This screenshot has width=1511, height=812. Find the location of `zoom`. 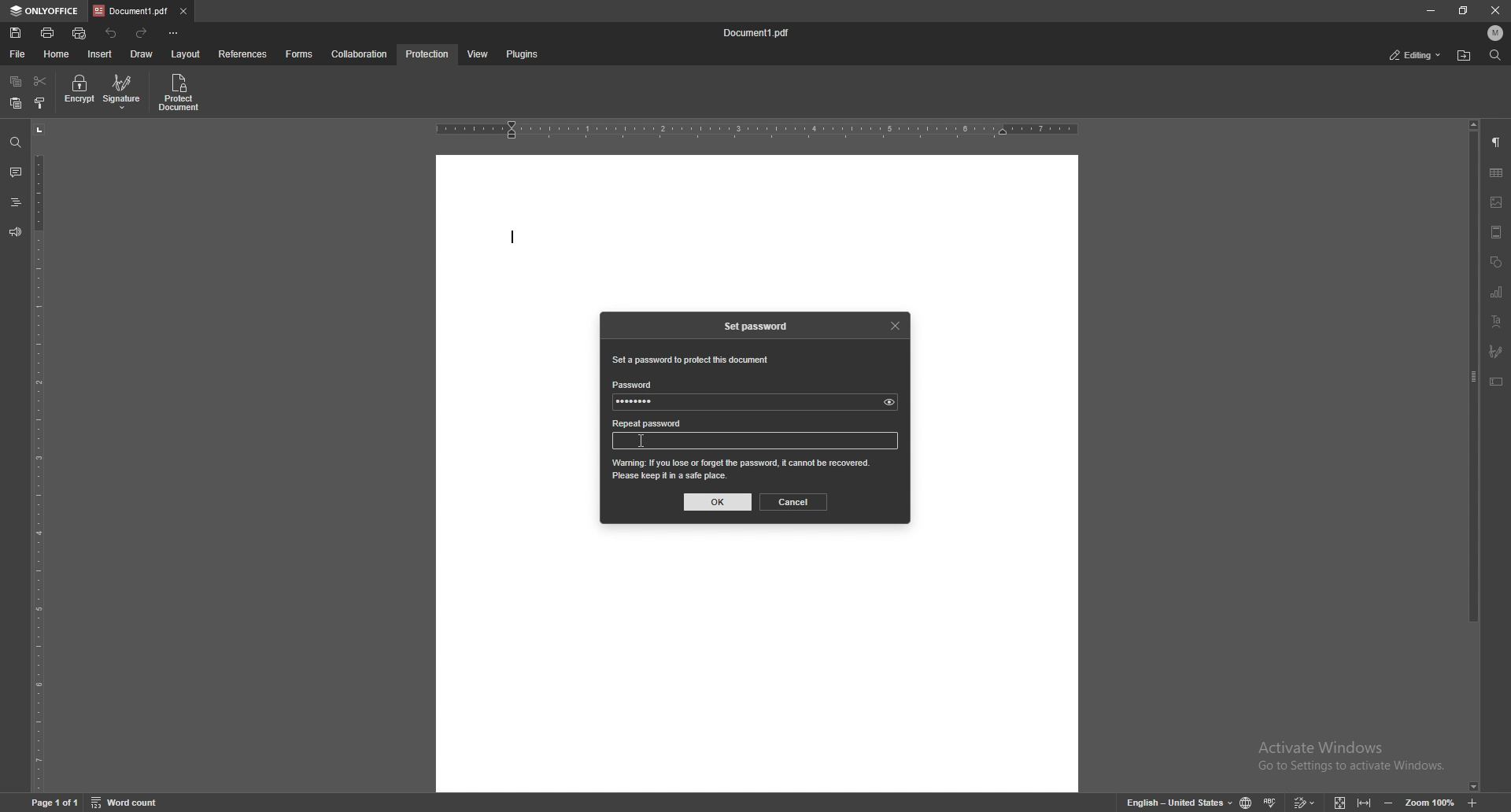

zoom is located at coordinates (1431, 802).